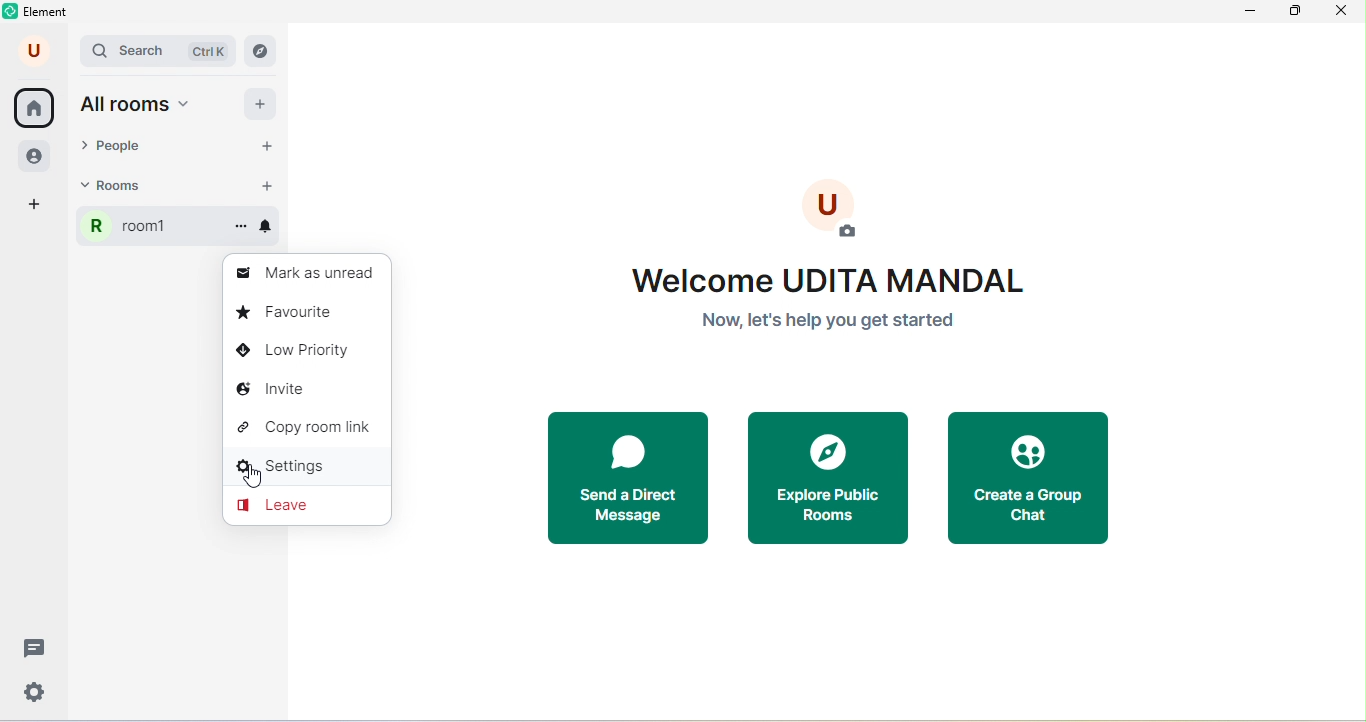 Image resolution: width=1366 pixels, height=722 pixels. I want to click on rooms, so click(132, 190).